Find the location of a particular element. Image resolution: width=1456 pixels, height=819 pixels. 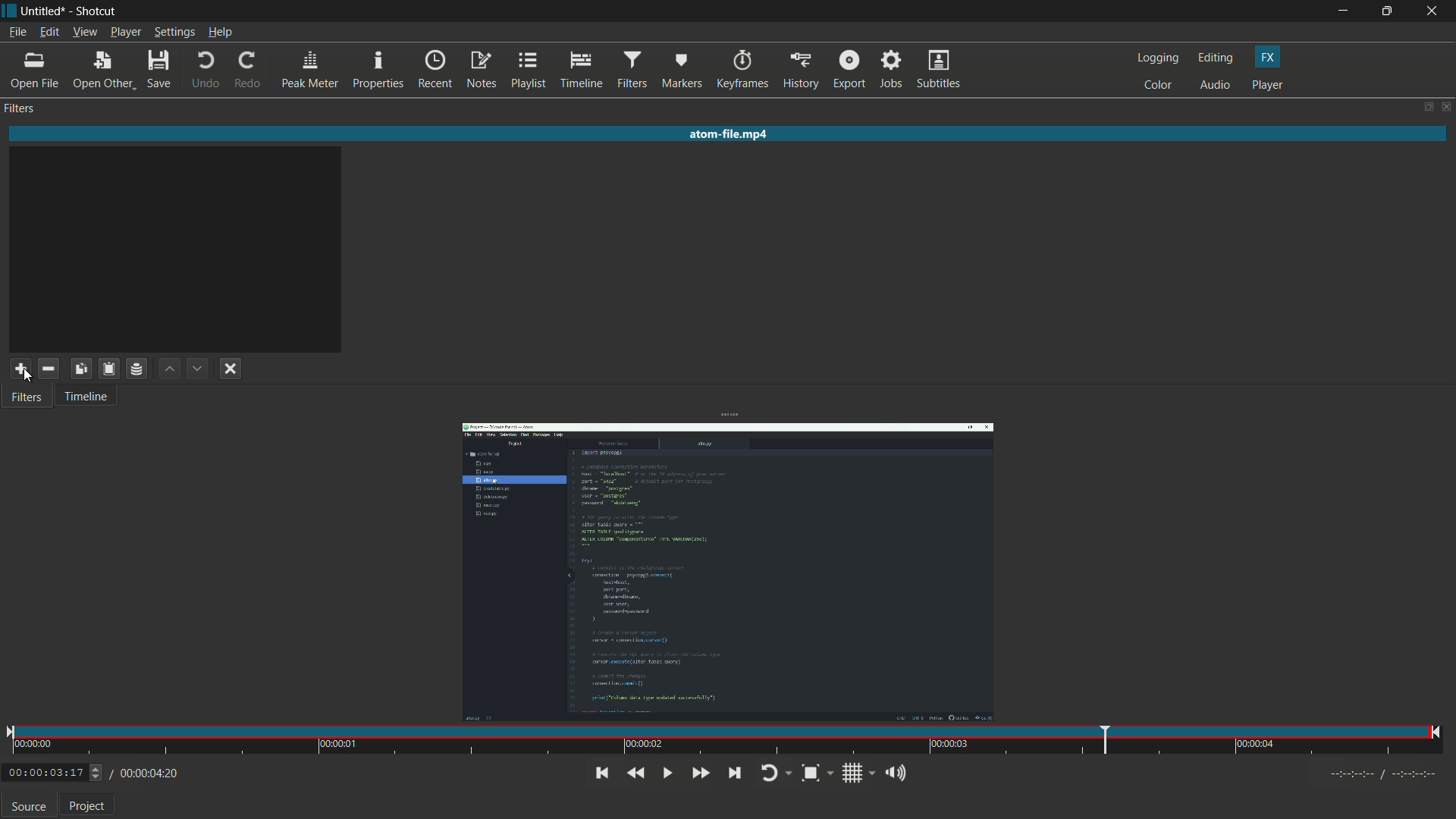

audio is located at coordinates (1216, 86).